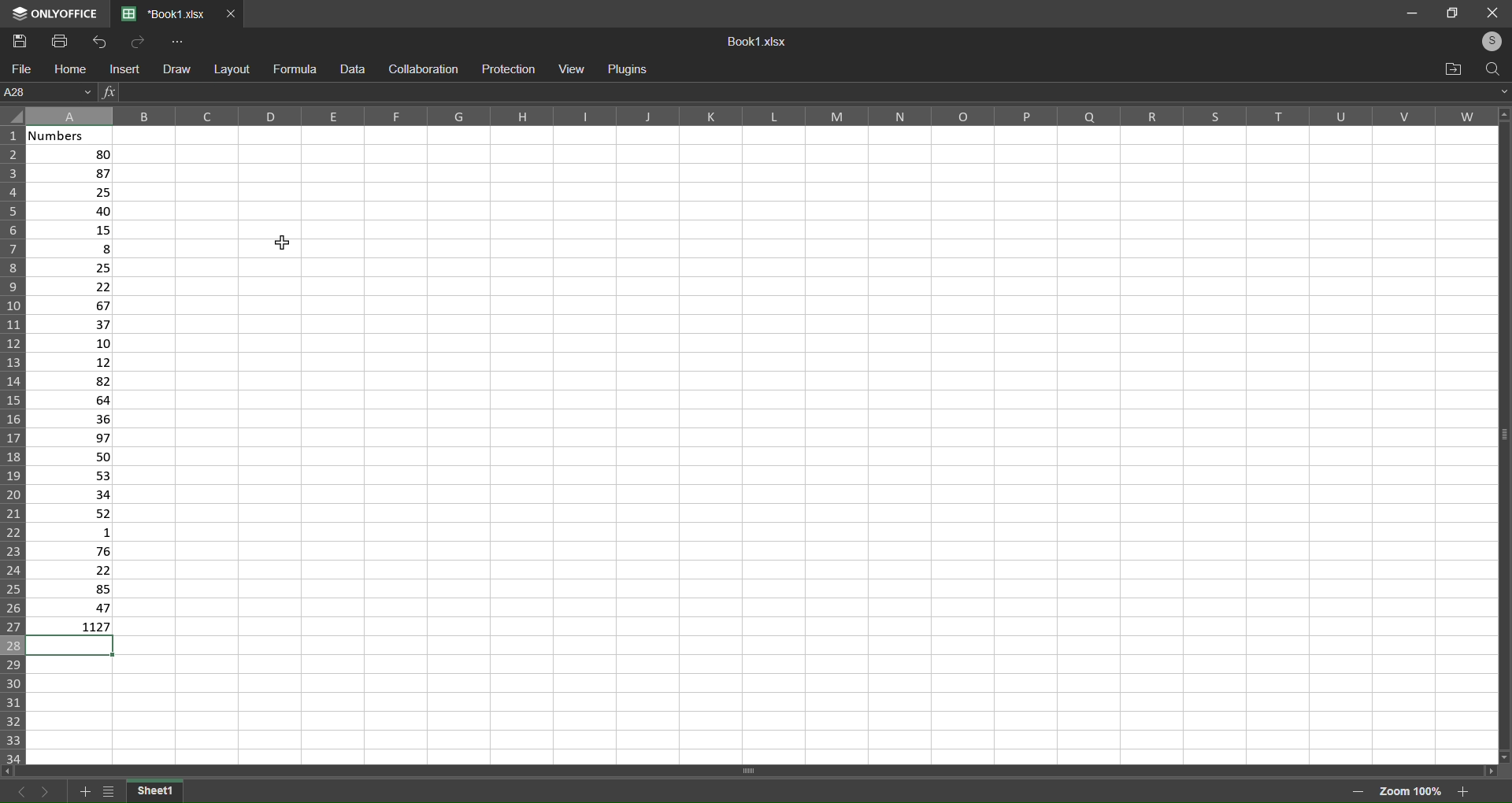 The height and width of the screenshot is (803, 1512). Describe the element at coordinates (109, 94) in the screenshot. I see `Insert Function` at that location.